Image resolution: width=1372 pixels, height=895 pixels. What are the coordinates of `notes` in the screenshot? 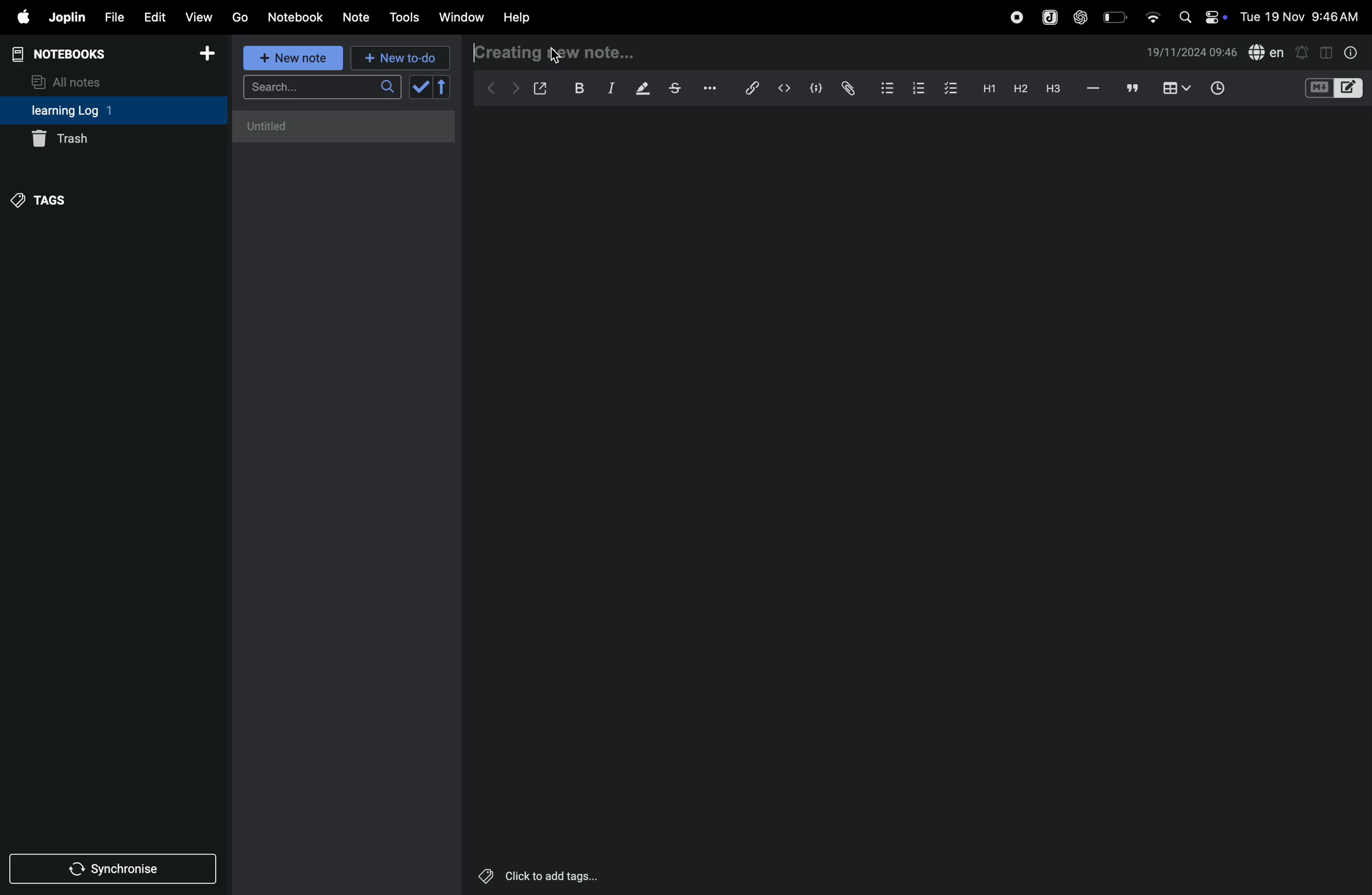 It's located at (357, 18).